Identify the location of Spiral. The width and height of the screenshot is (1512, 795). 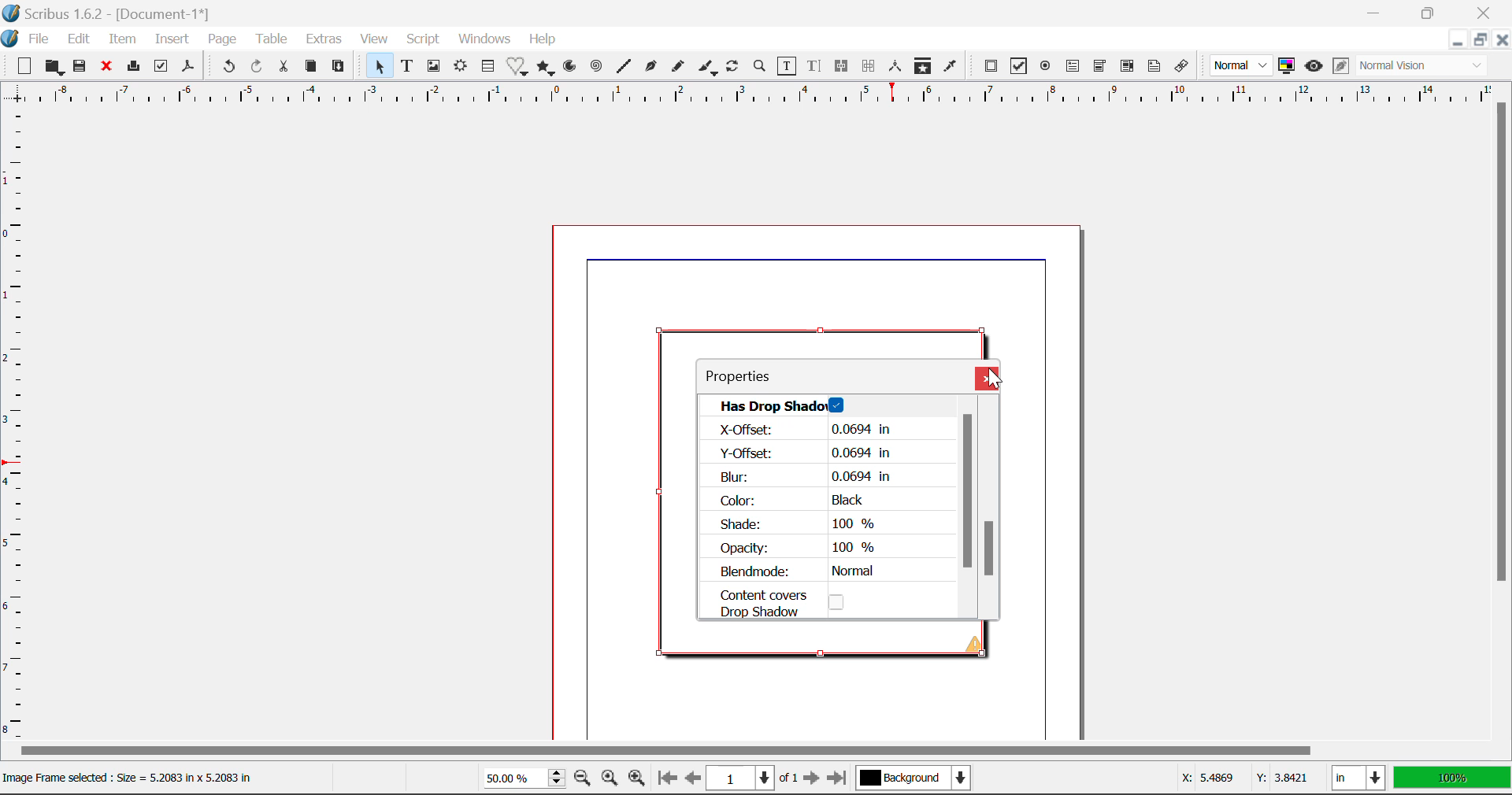
(598, 69).